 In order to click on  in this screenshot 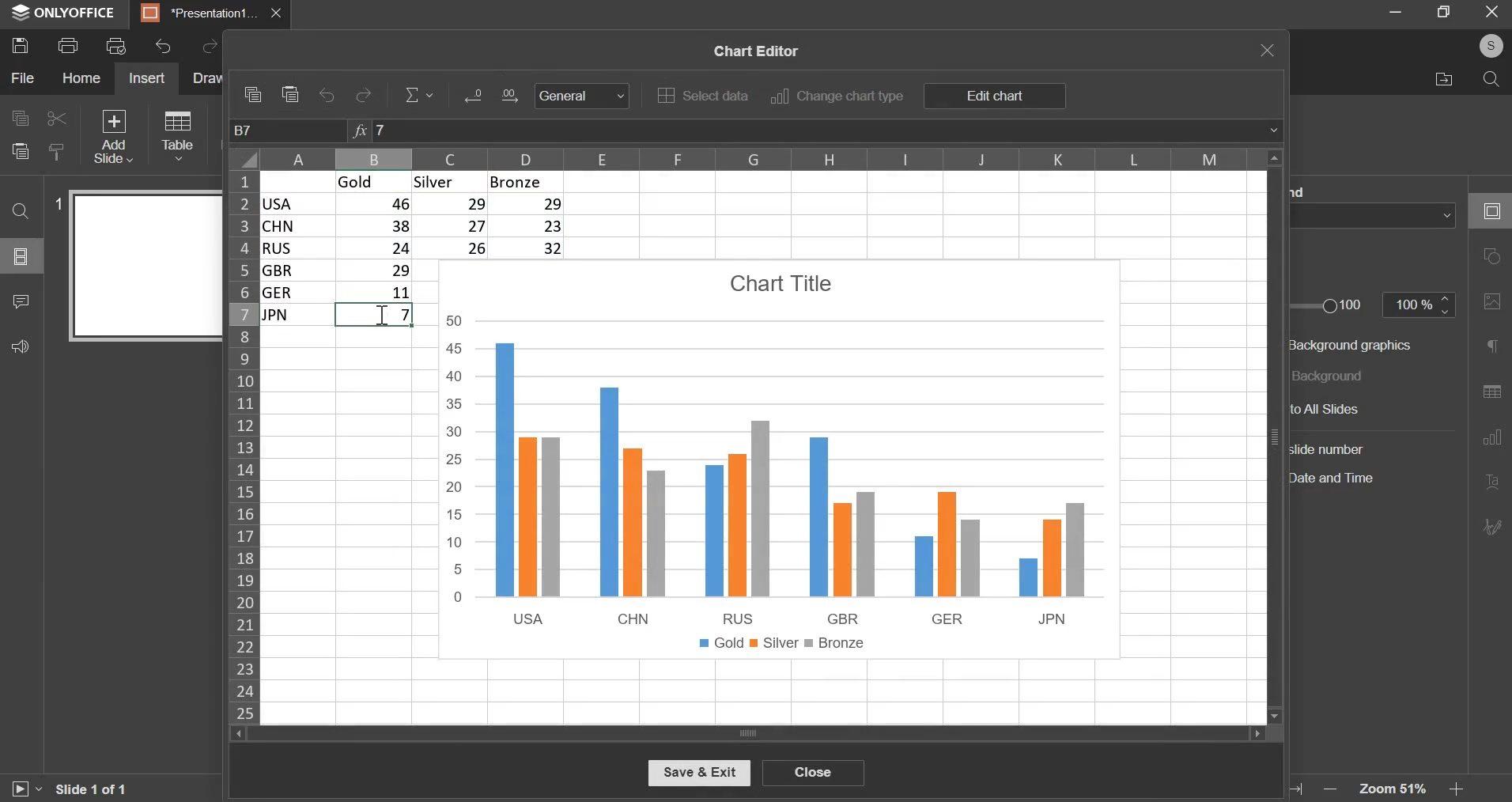, I will do `click(516, 96)`.